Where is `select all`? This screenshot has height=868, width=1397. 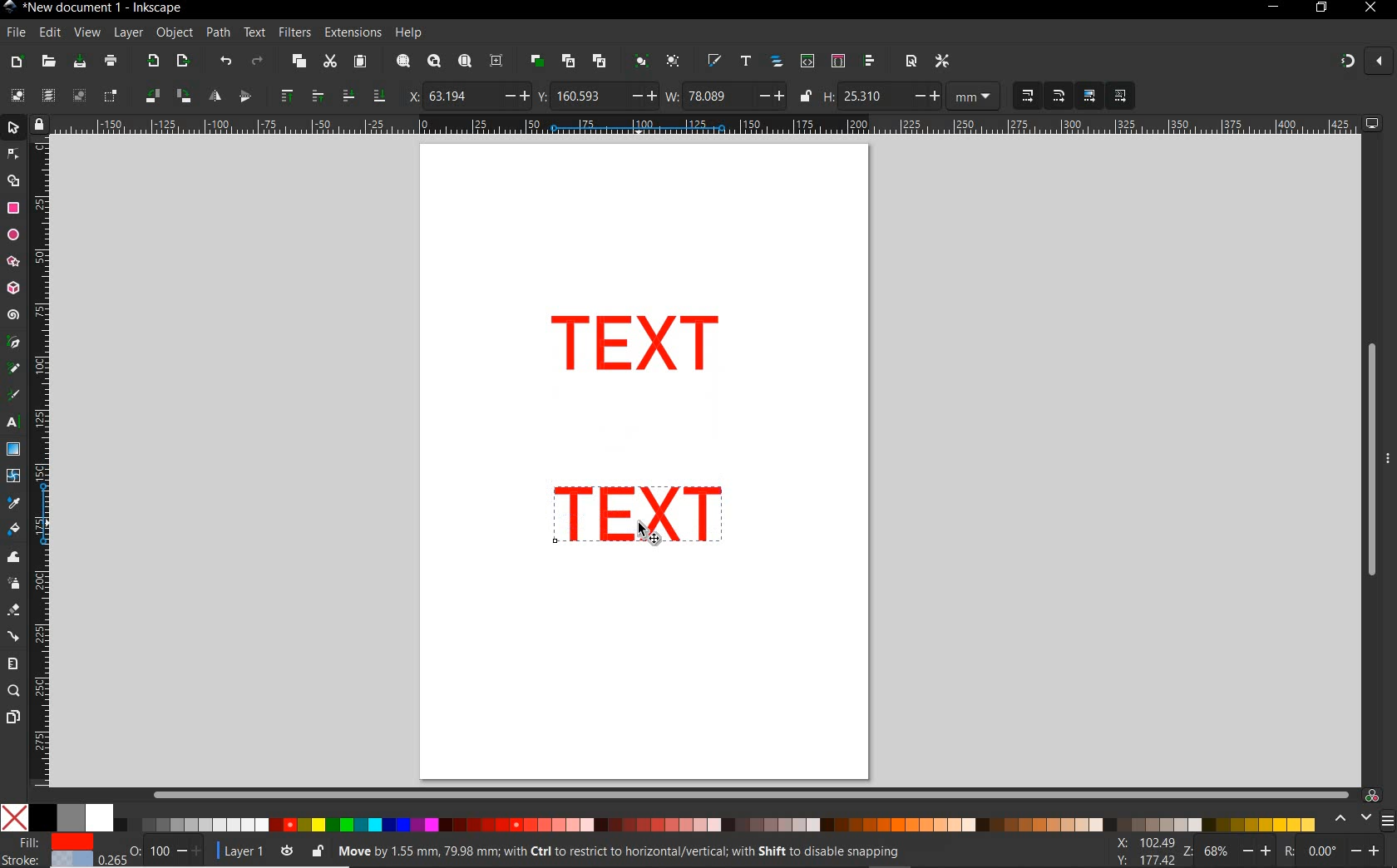
select all is located at coordinates (17, 96).